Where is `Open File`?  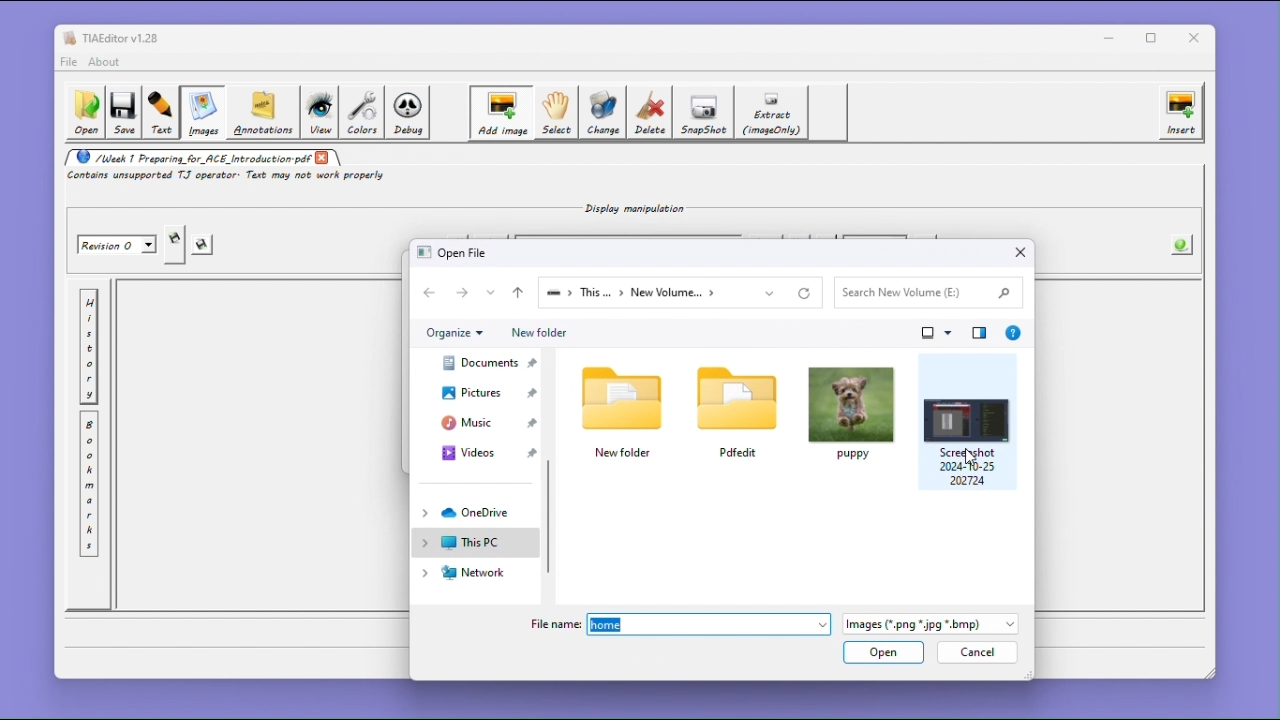
Open File is located at coordinates (456, 252).